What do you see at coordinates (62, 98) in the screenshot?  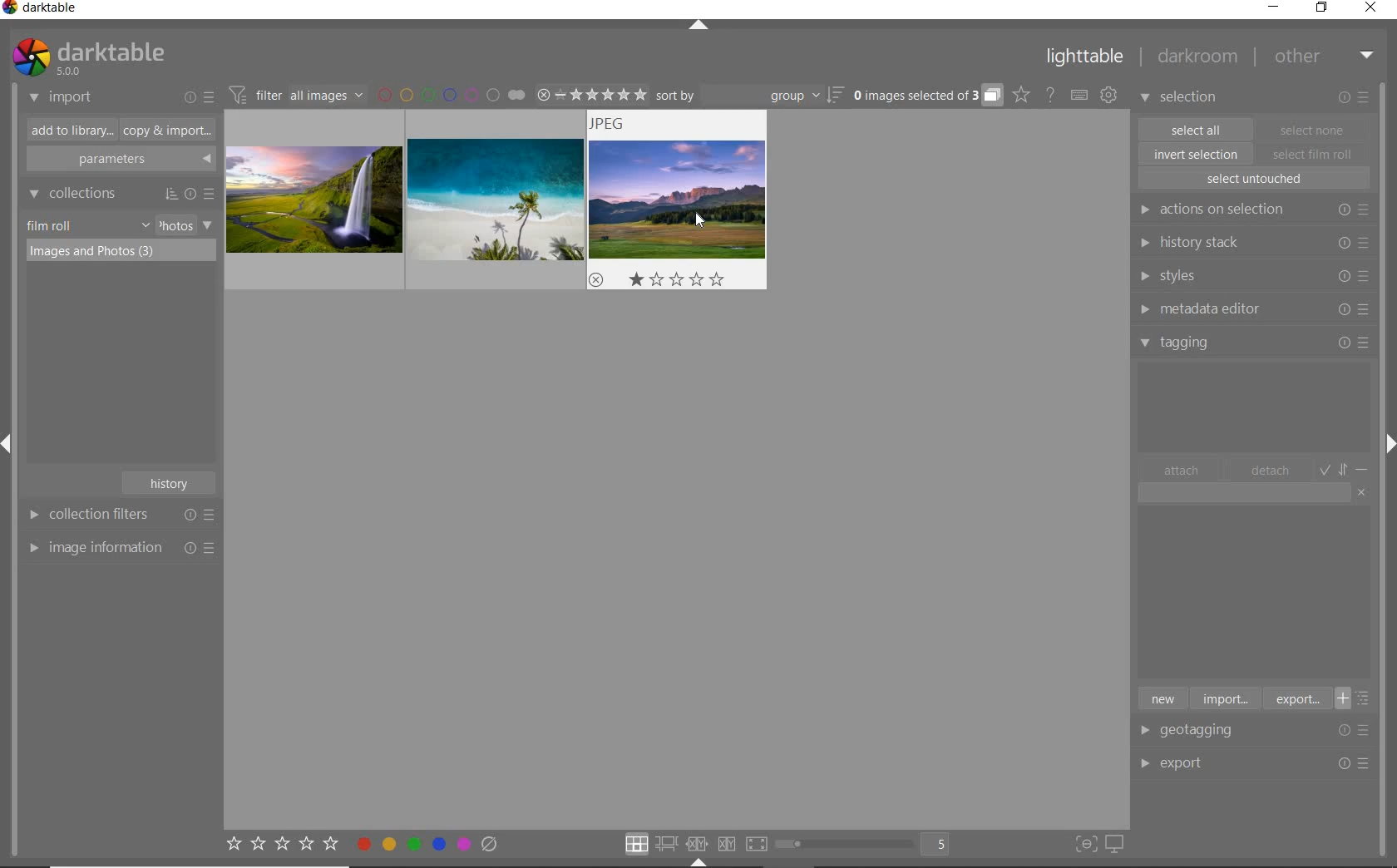 I see `import` at bounding box center [62, 98].